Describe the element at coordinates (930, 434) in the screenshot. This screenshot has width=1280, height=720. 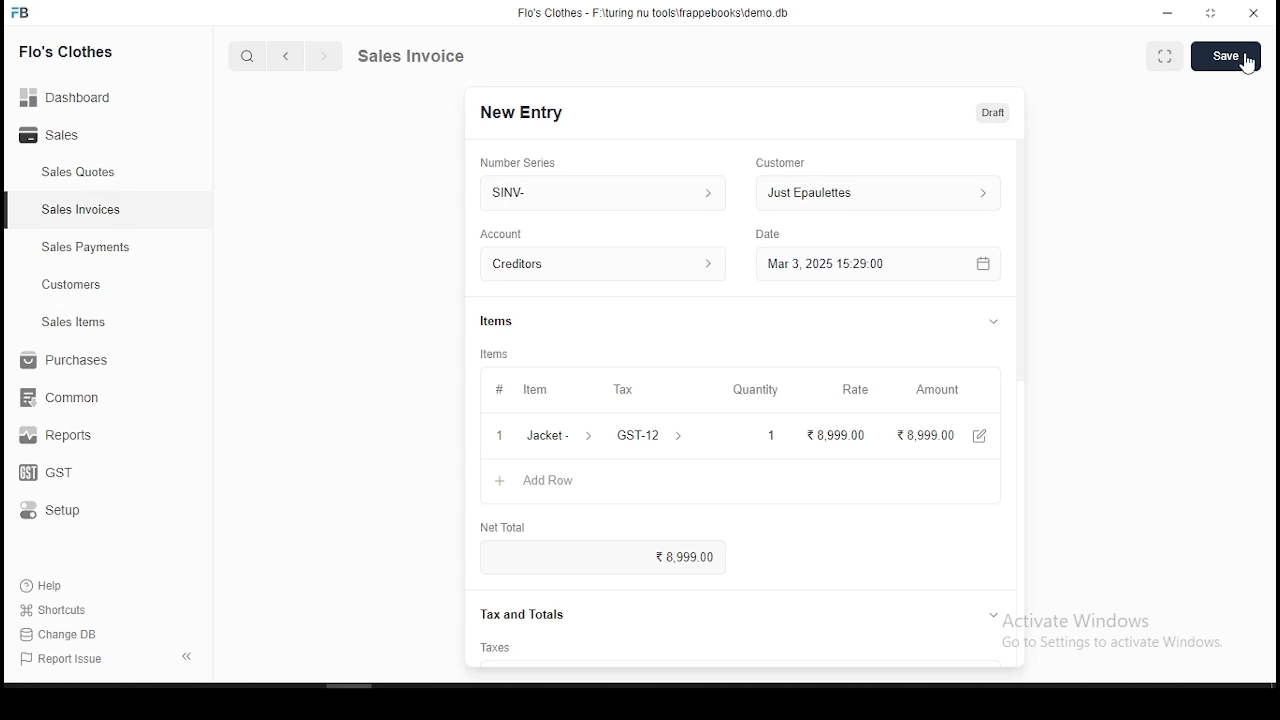
I see `28,999.00` at that location.